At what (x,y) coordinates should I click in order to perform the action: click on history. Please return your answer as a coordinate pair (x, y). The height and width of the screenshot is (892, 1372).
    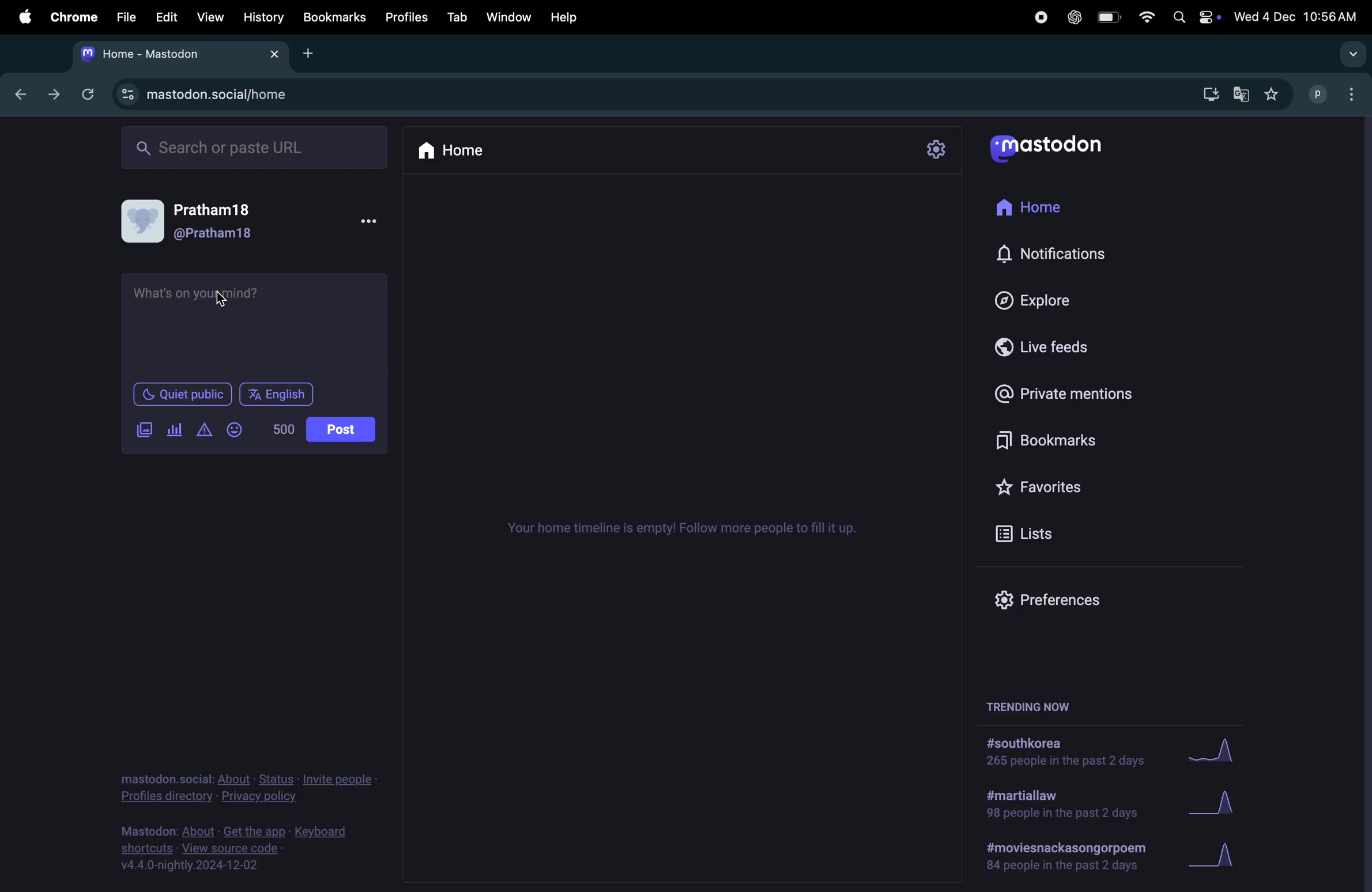
    Looking at the image, I should click on (263, 16).